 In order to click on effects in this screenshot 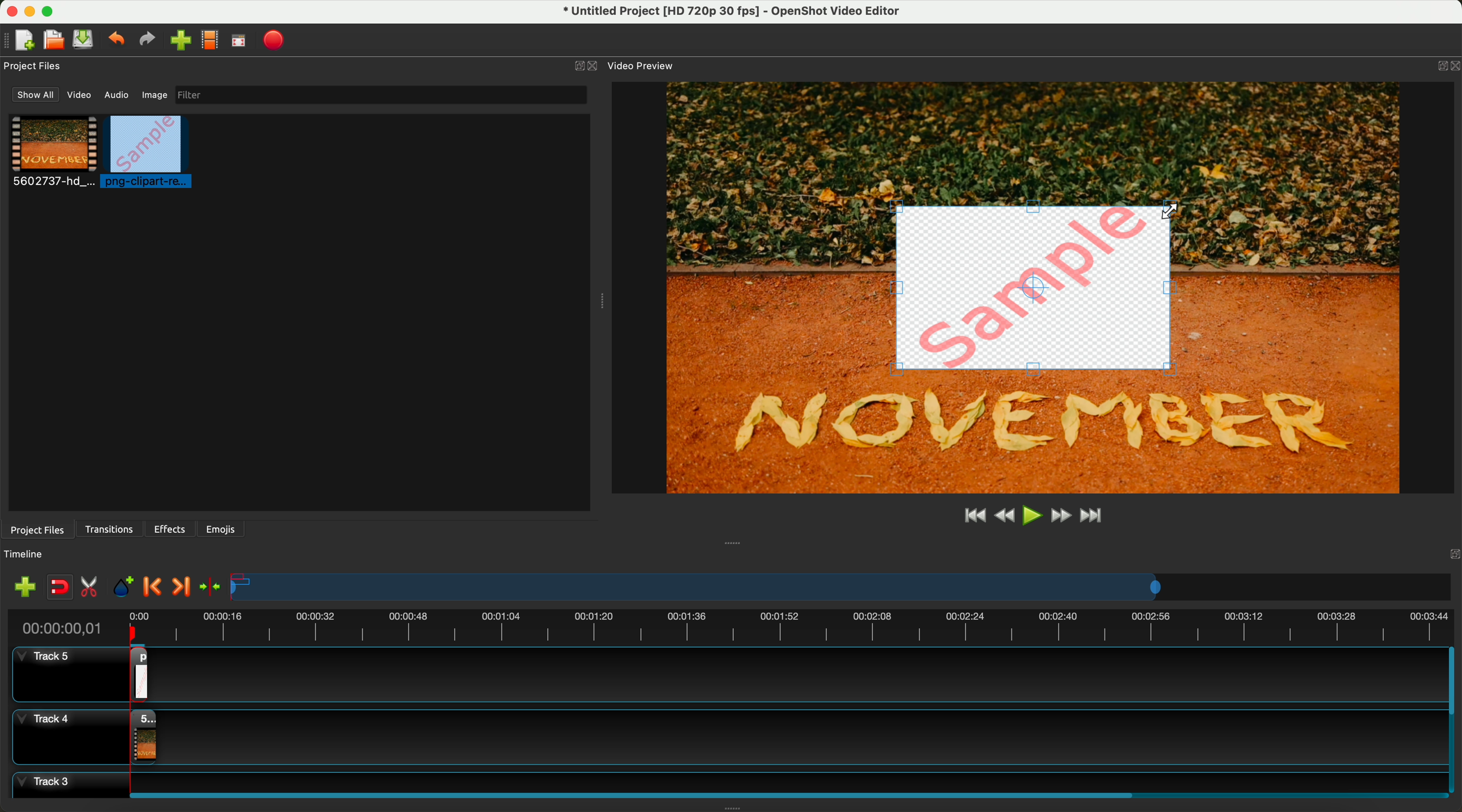, I will do `click(171, 529)`.